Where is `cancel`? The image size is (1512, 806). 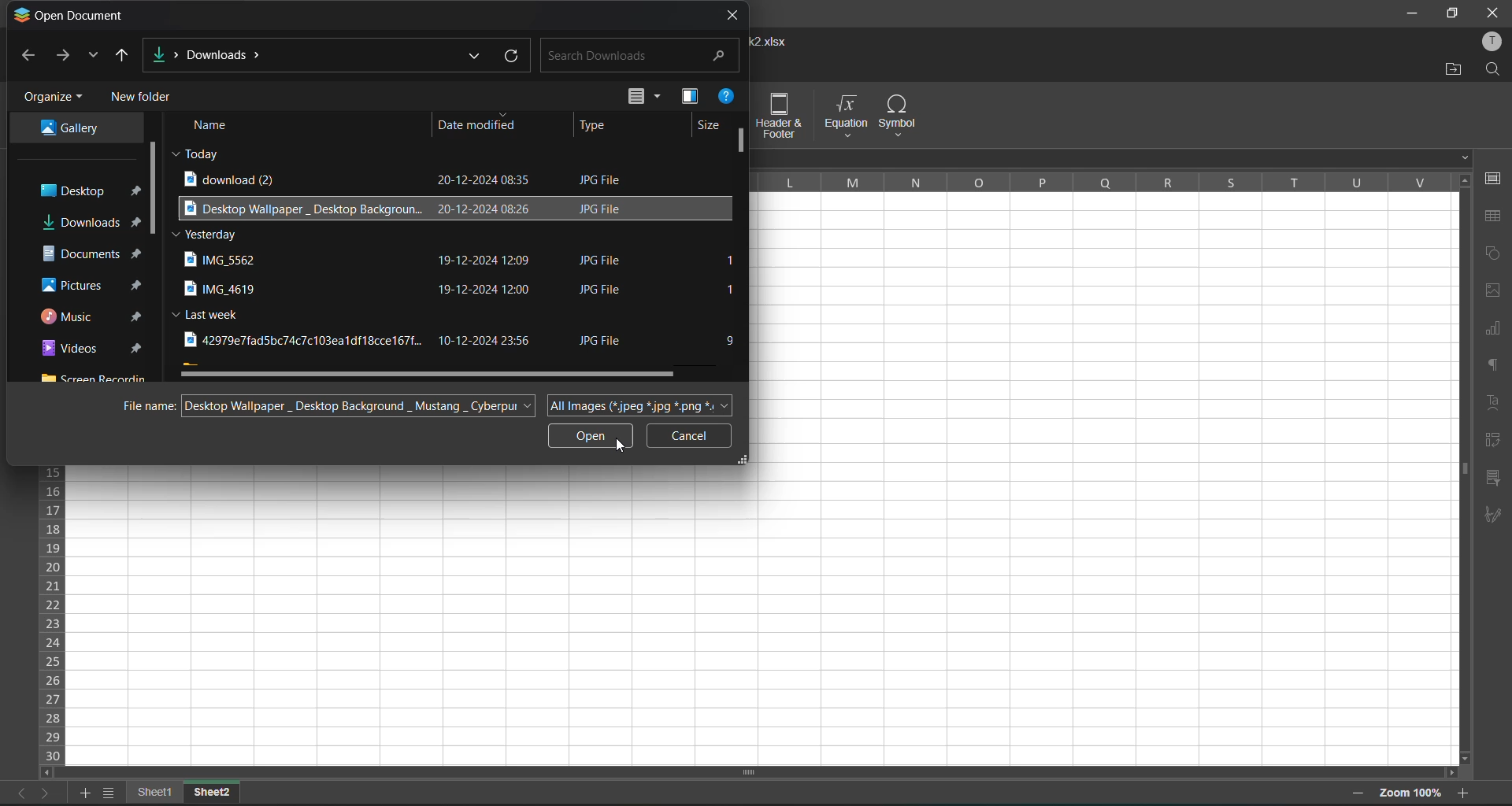 cancel is located at coordinates (687, 436).